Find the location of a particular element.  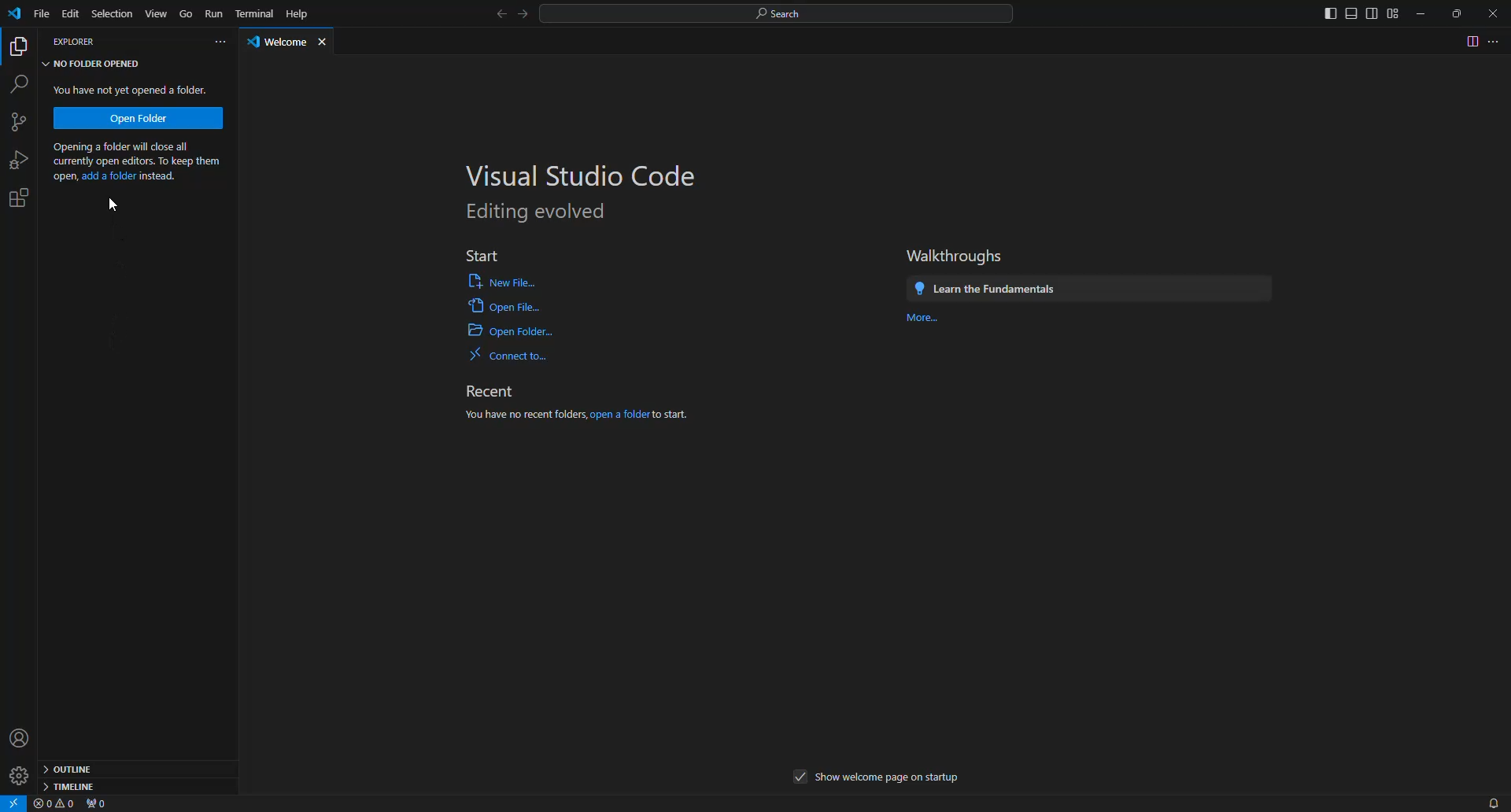

open is located at coordinates (63, 177).